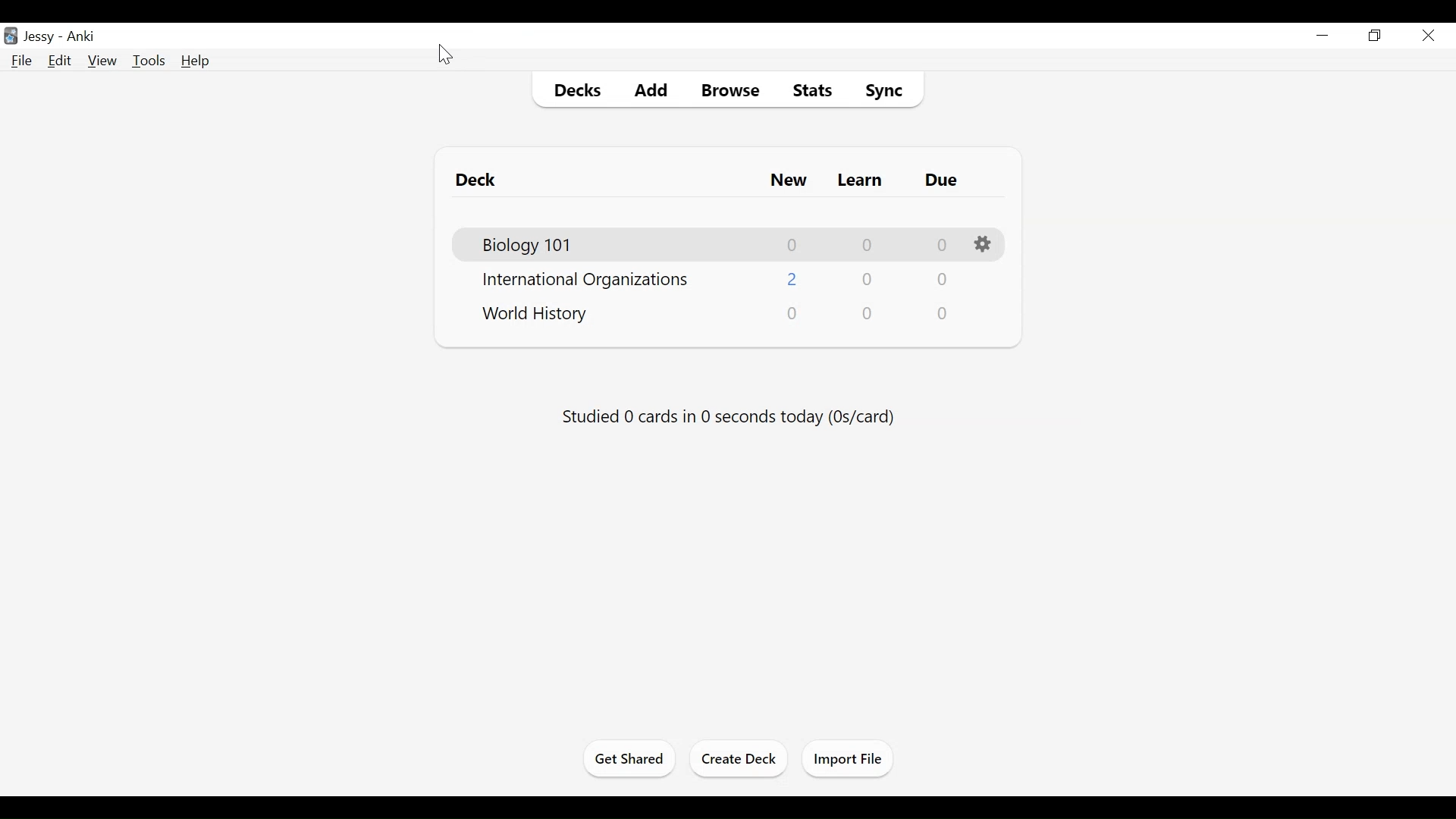 Image resolution: width=1456 pixels, height=819 pixels. Describe the element at coordinates (538, 247) in the screenshot. I see `Biology 101` at that location.